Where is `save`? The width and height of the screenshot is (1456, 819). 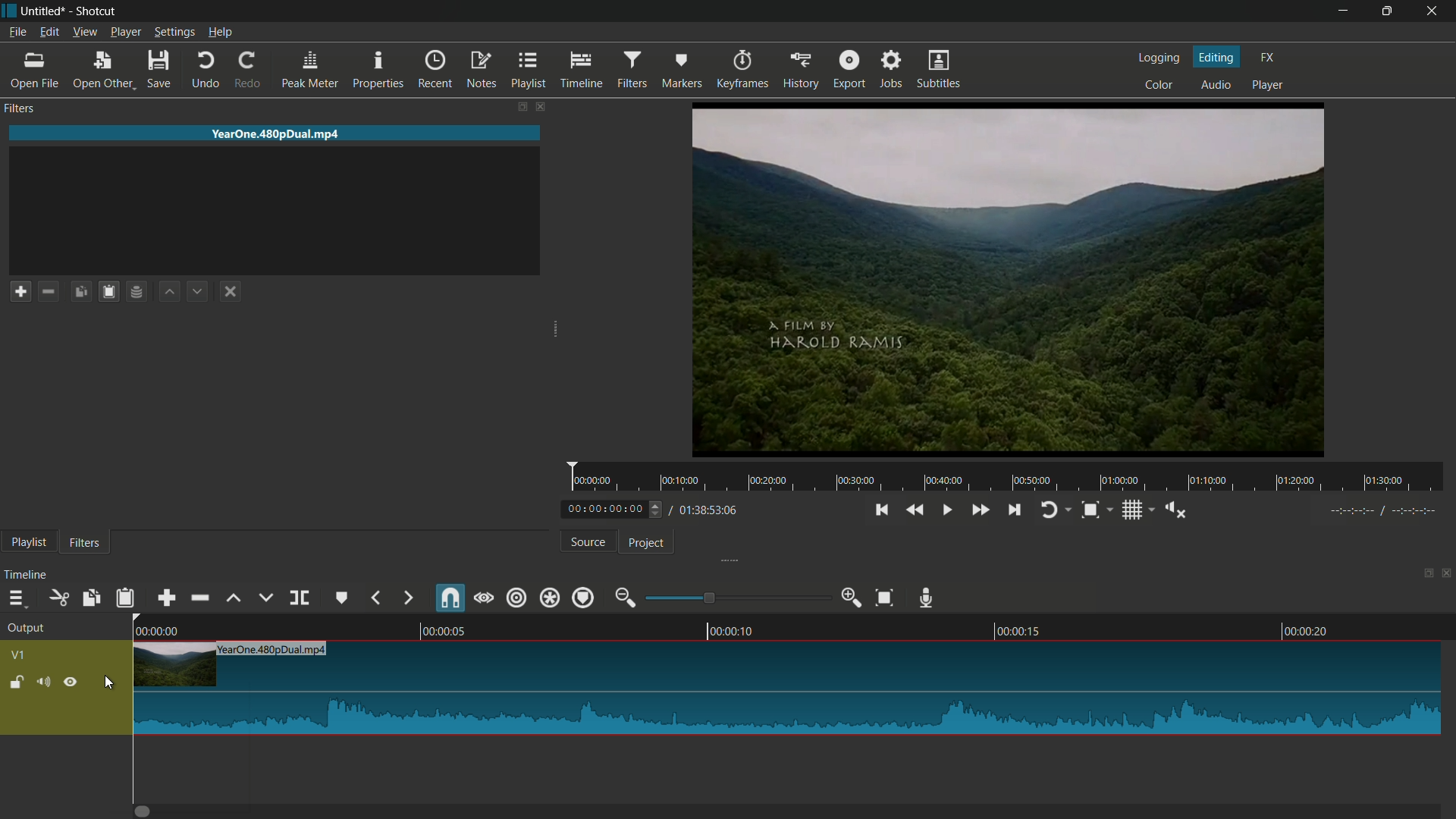 save is located at coordinates (158, 71).